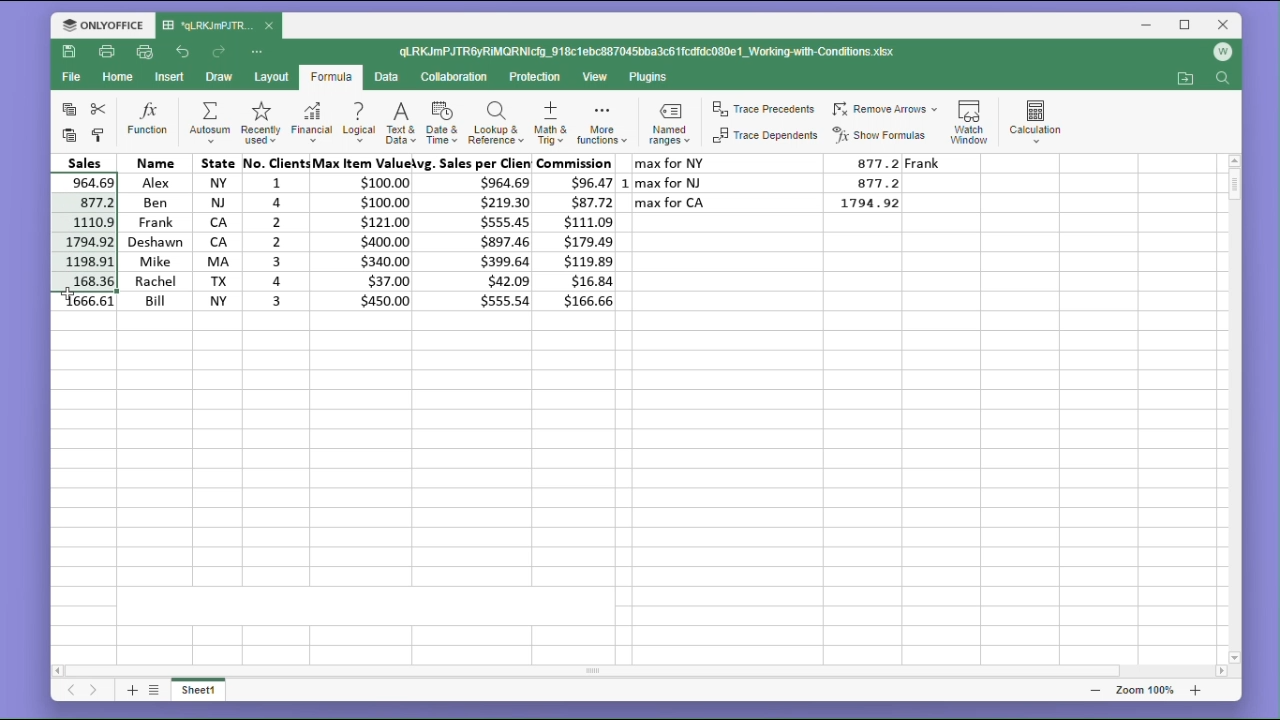 The height and width of the screenshot is (720, 1280). I want to click on zoom out, so click(1095, 690).